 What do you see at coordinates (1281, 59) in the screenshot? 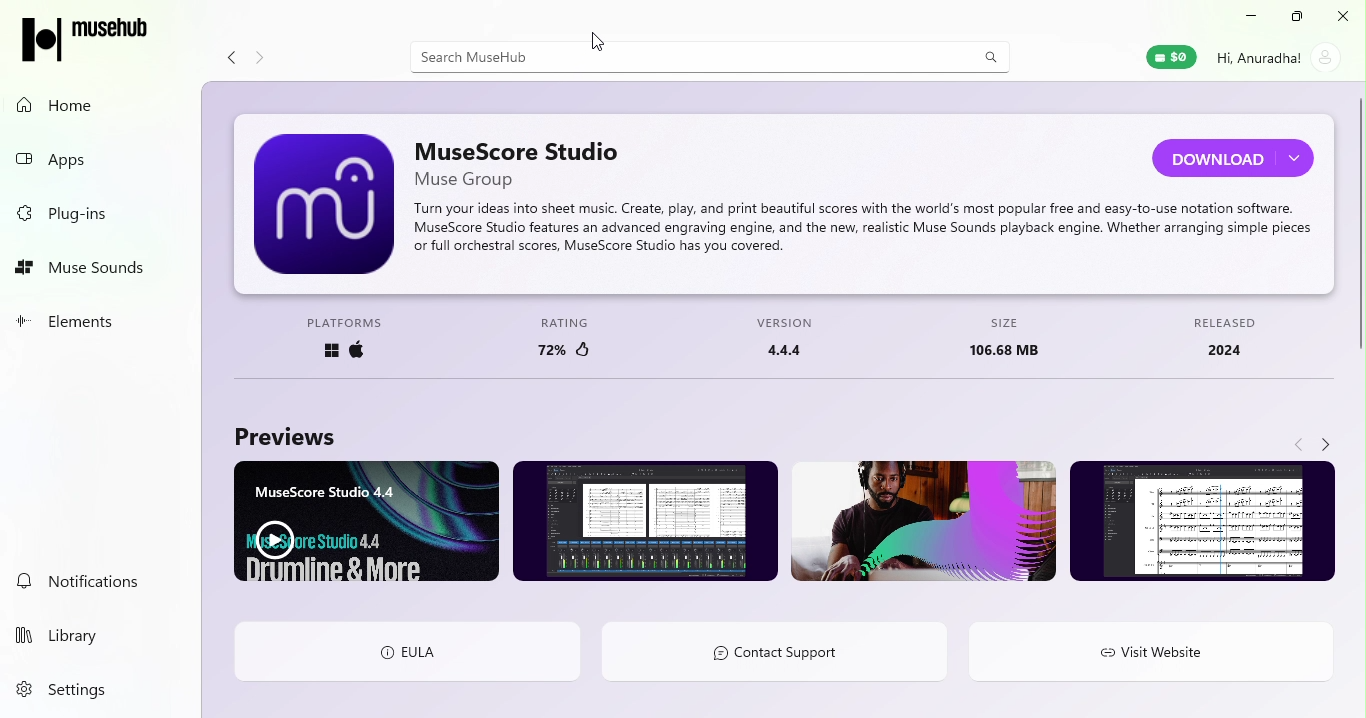
I see `Account` at bounding box center [1281, 59].